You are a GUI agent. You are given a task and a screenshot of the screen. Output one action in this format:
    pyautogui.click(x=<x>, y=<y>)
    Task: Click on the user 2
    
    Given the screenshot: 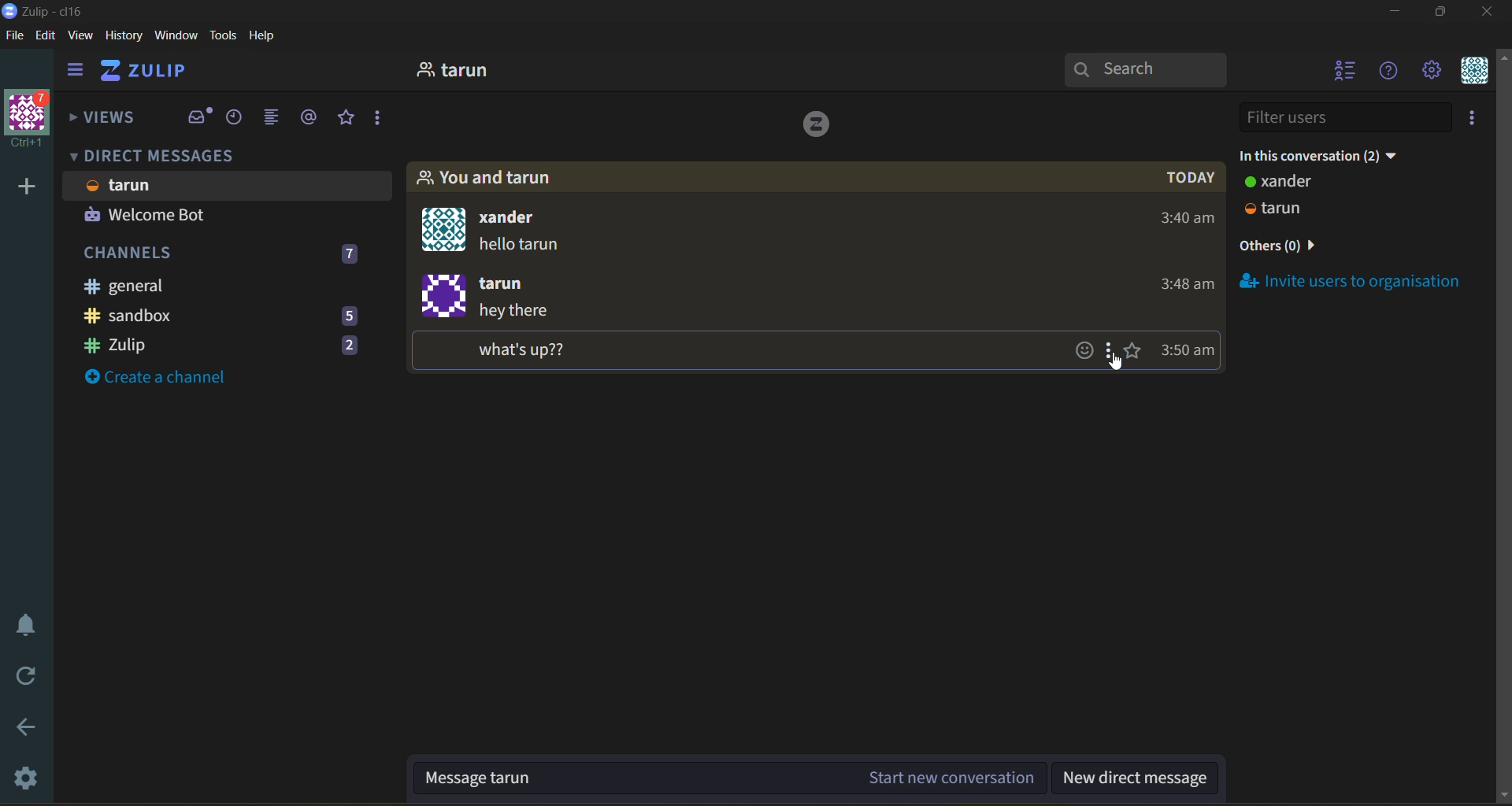 What is the action you would take?
    pyautogui.click(x=1285, y=210)
    